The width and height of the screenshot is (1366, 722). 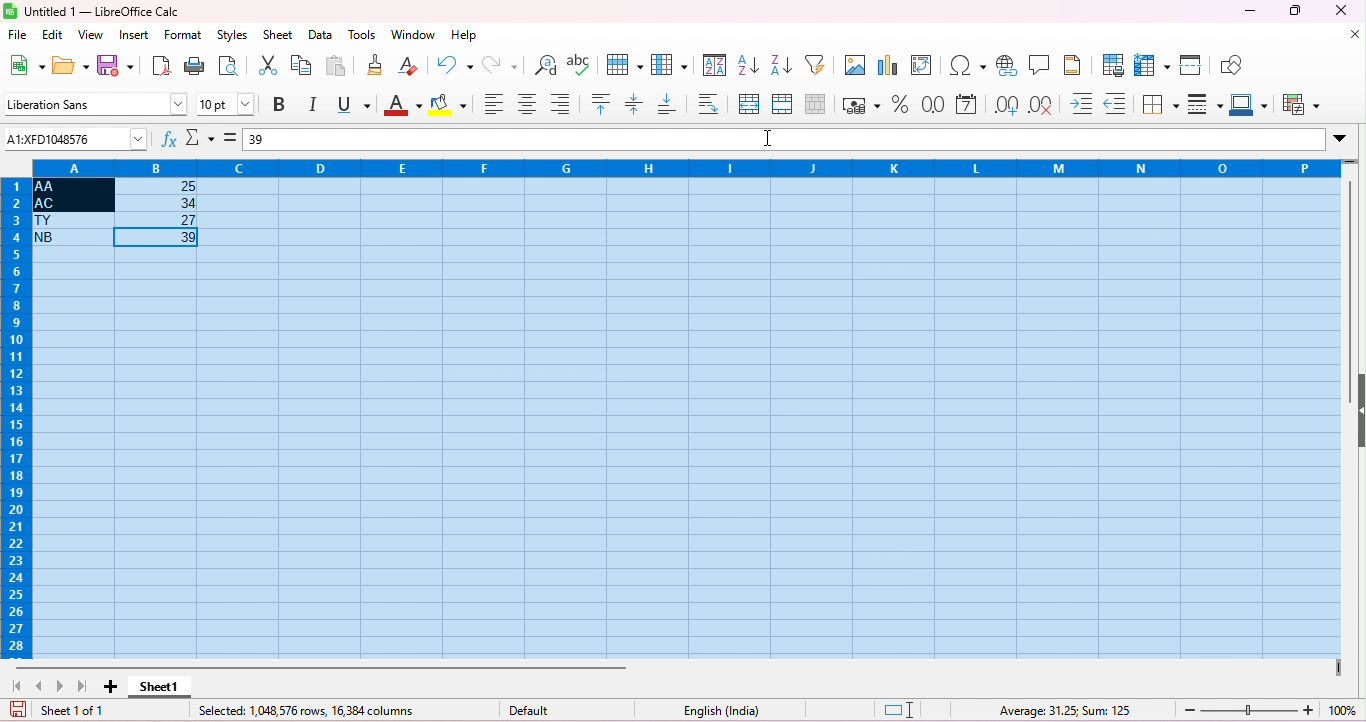 I want to click on default, so click(x=536, y=711).